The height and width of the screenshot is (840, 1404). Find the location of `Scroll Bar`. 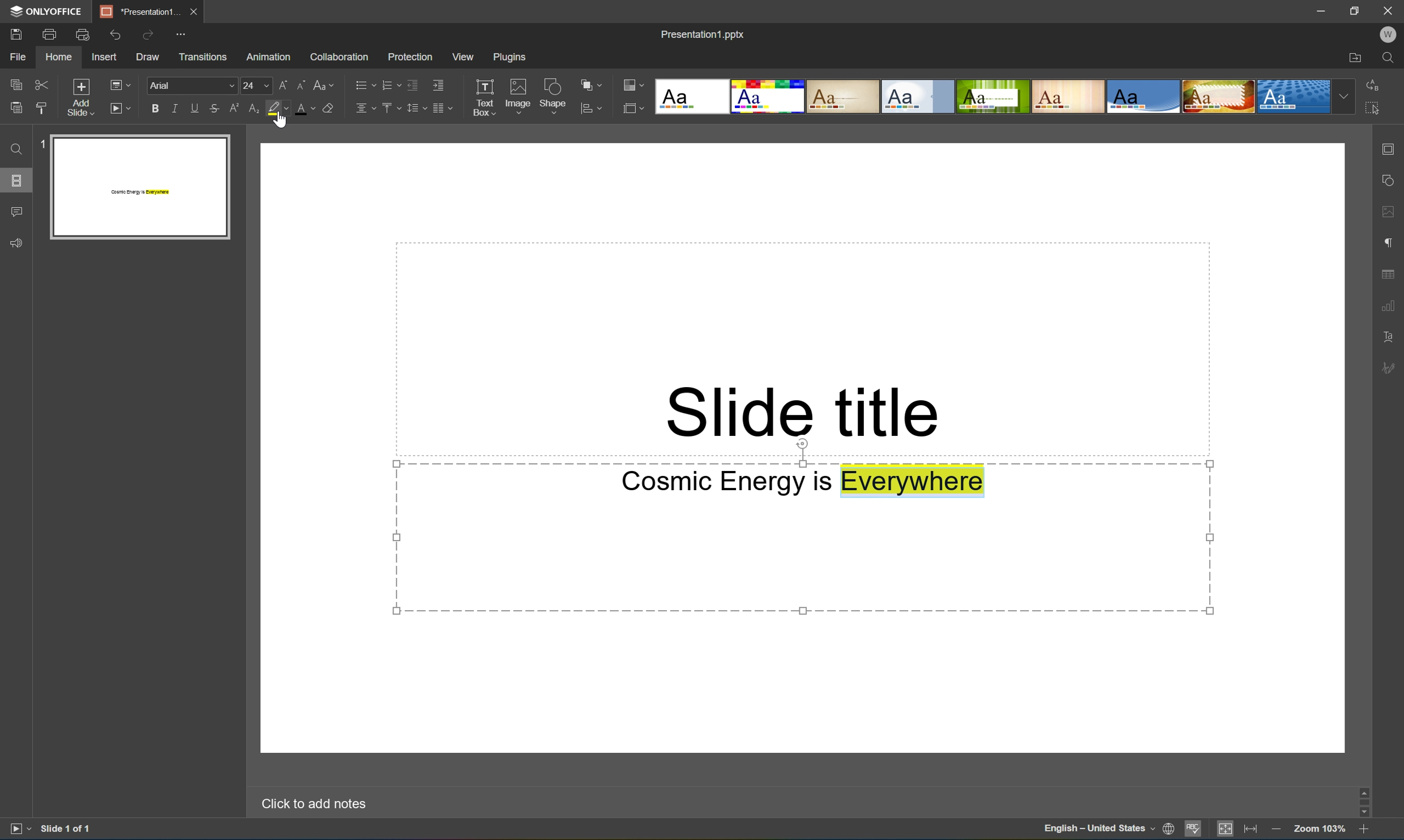

Scroll Bar is located at coordinates (1363, 802).